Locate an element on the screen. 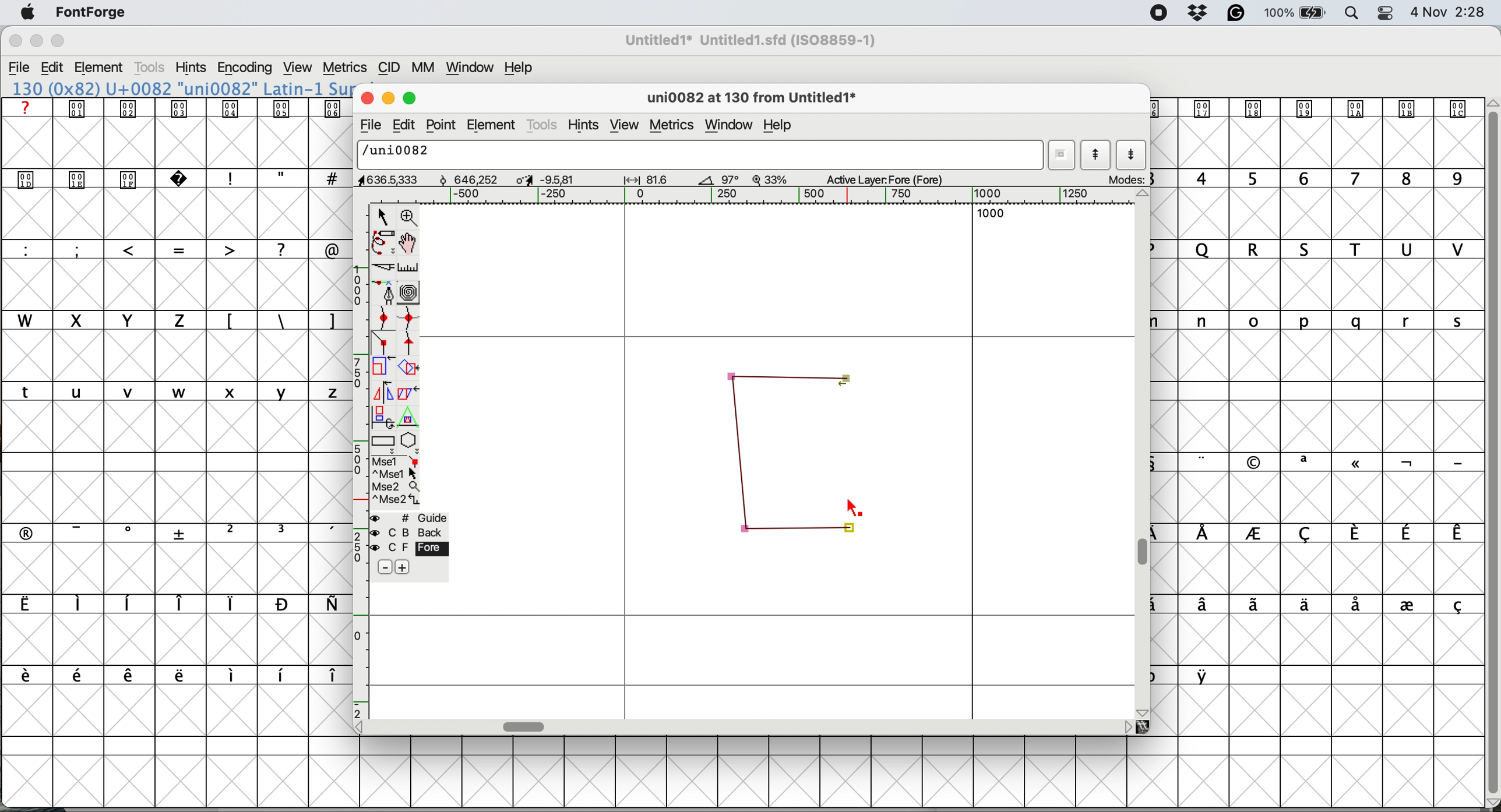 The height and width of the screenshot is (812, 1501). corner points connected is located at coordinates (741, 454).